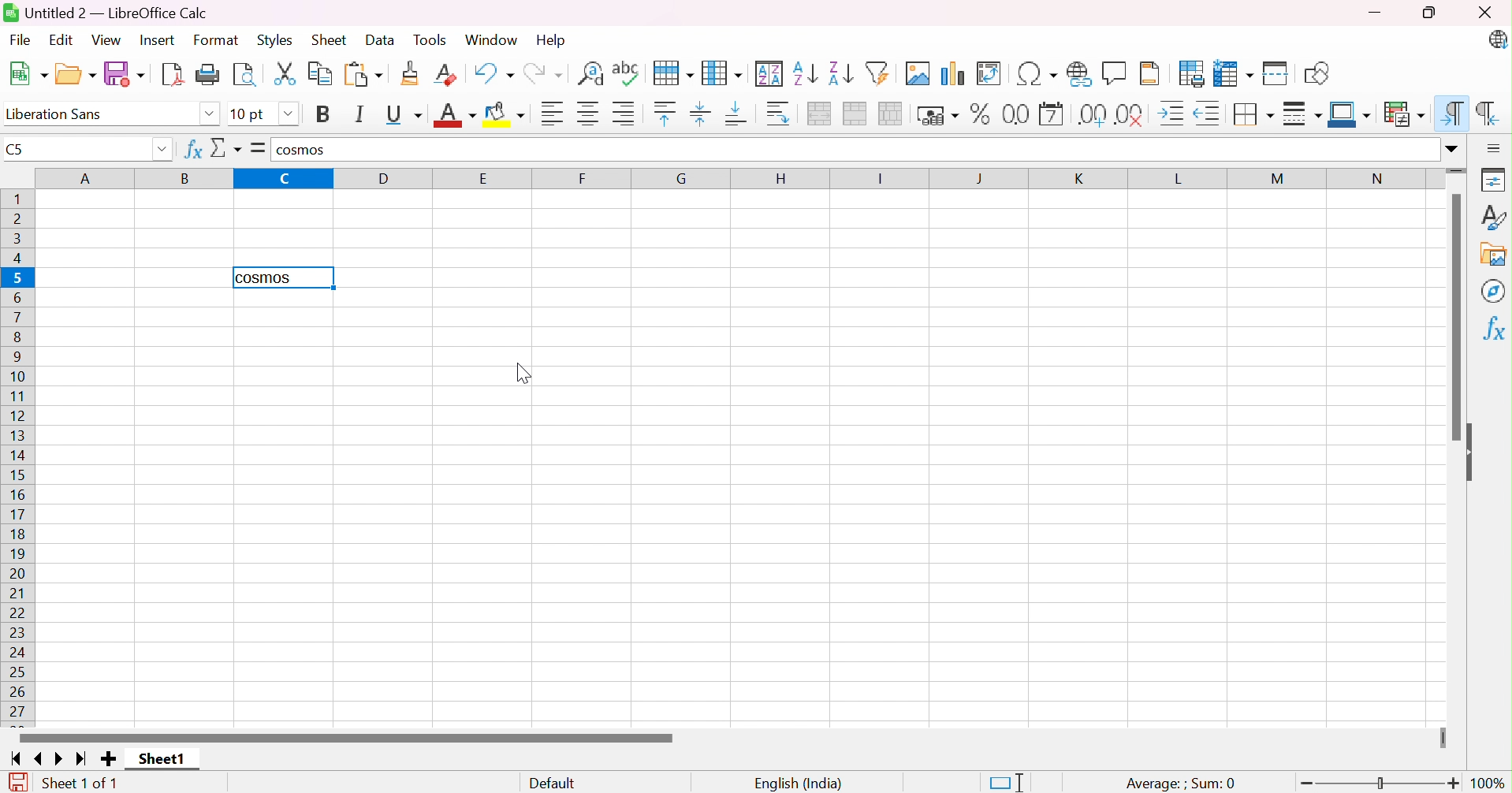  What do you see at coordinates (1495, 255) in the screenshot?
I see `Gallery` at bounding box center [1495, 255].